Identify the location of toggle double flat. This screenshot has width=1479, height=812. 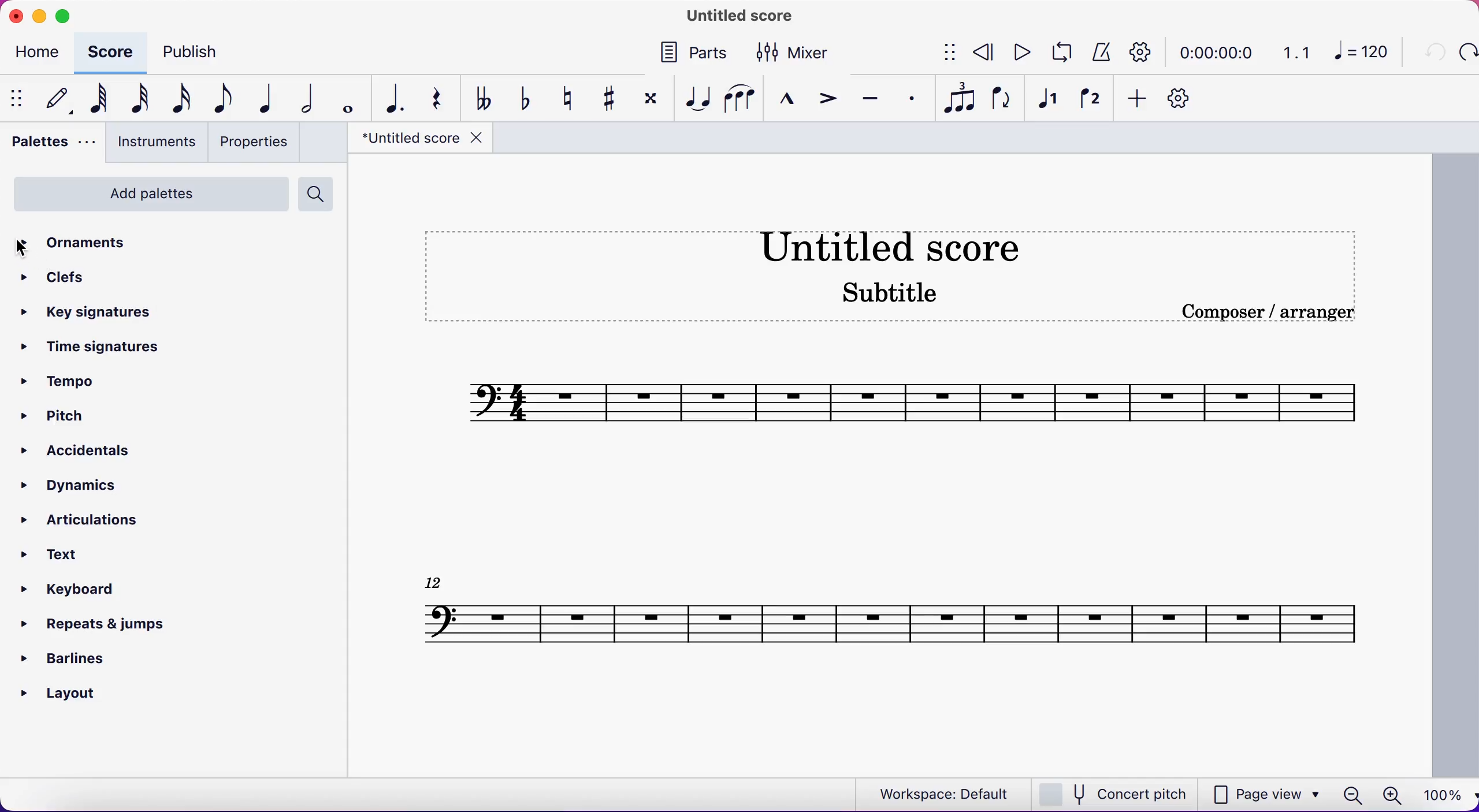
(484, 98).